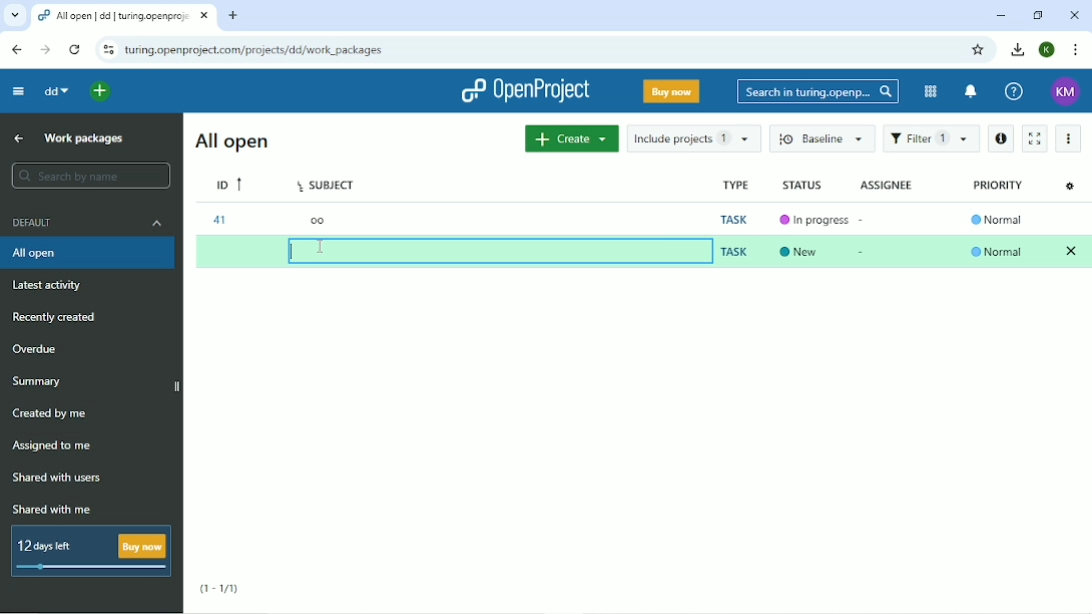  Describe the element at coordinates (1018, 50) in the screenshot. I see `Downloads` at that location.